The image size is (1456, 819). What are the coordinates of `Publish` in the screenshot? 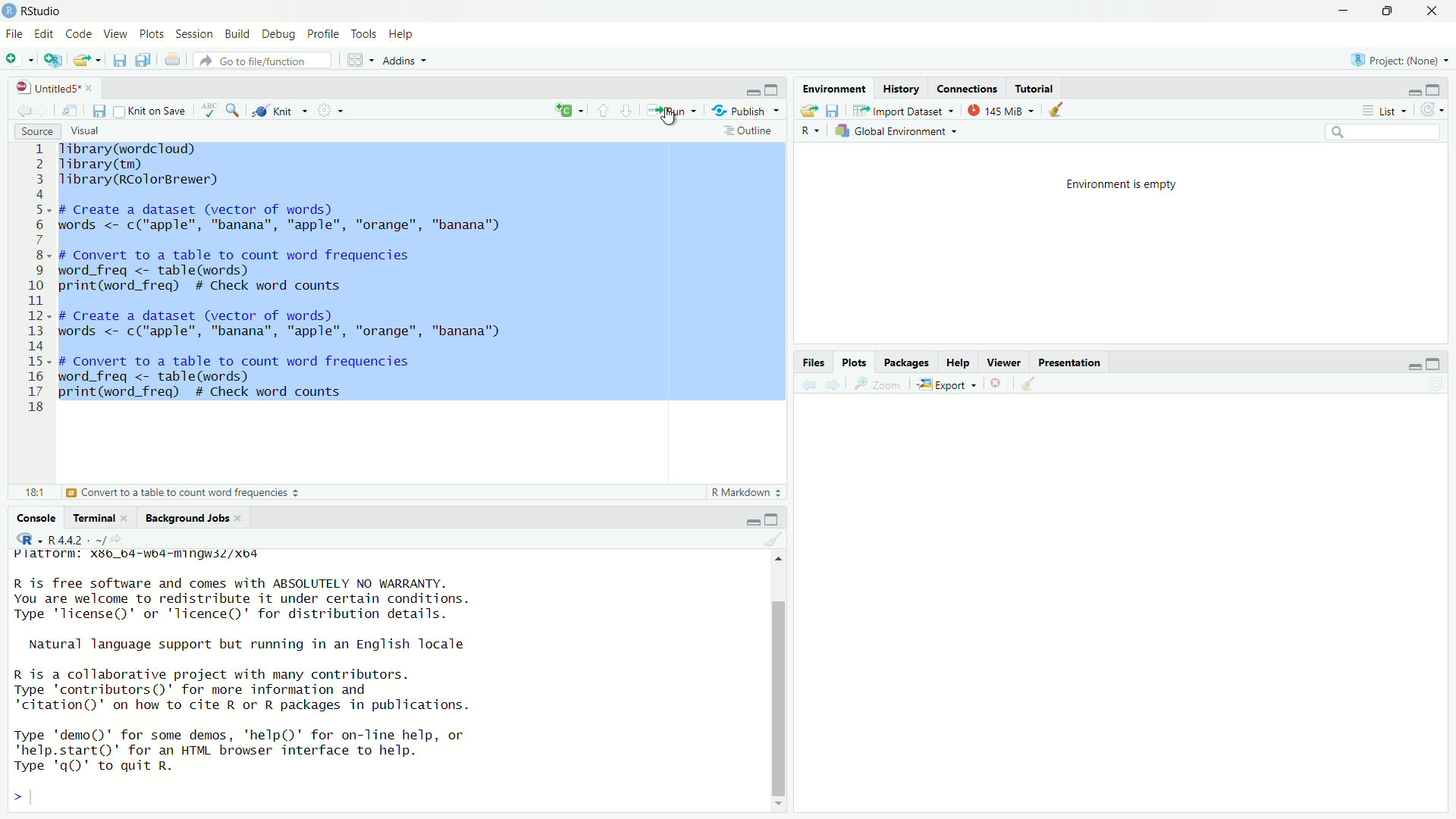 It's located at (746, 112).